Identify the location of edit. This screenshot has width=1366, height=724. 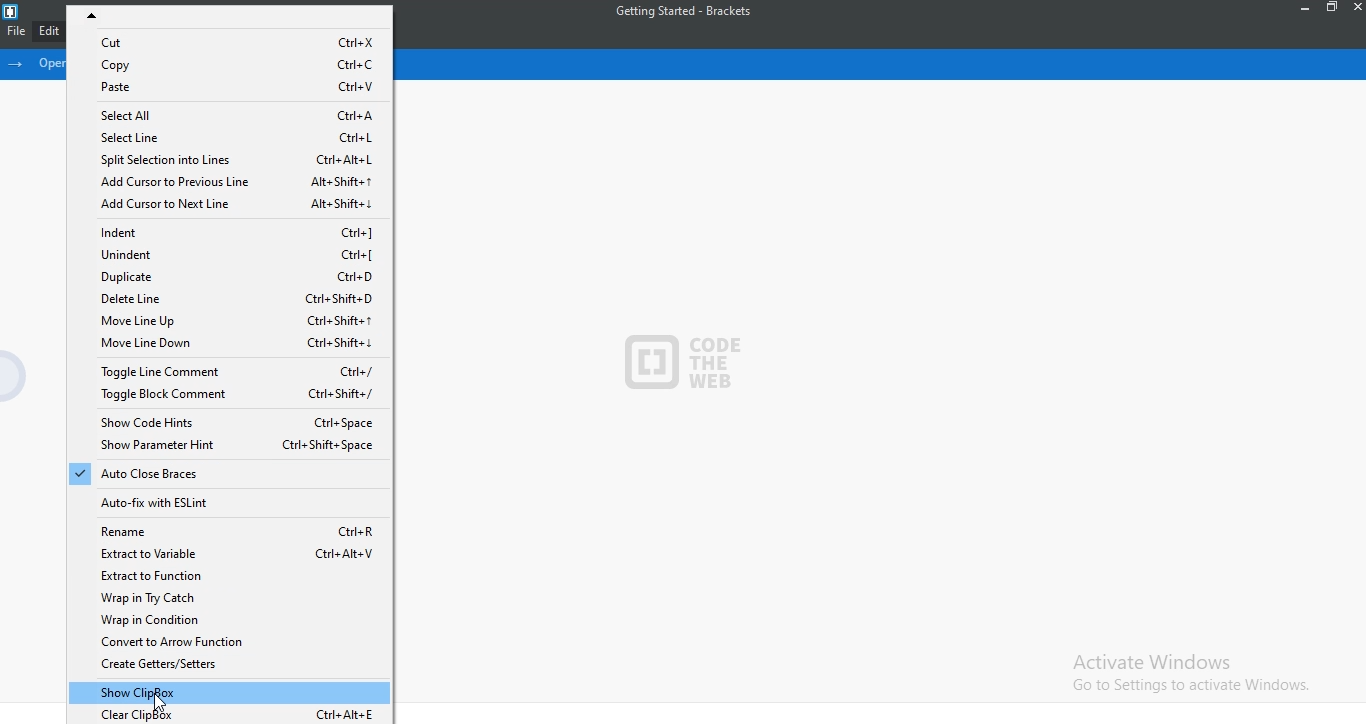
(46, 31).